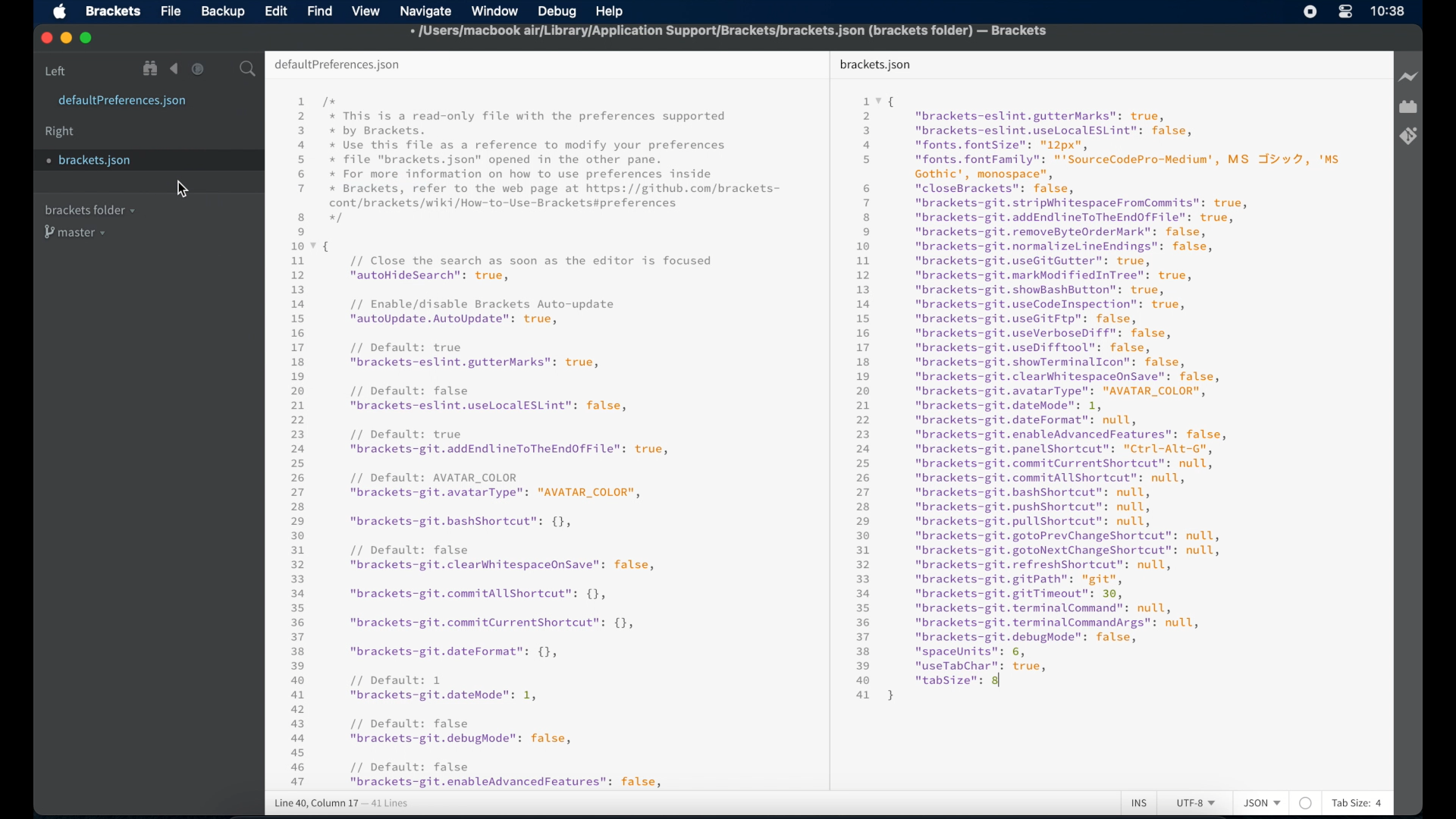 This screenshot has height=819, width=1456. I want to click on maximize, so click(87, 39).